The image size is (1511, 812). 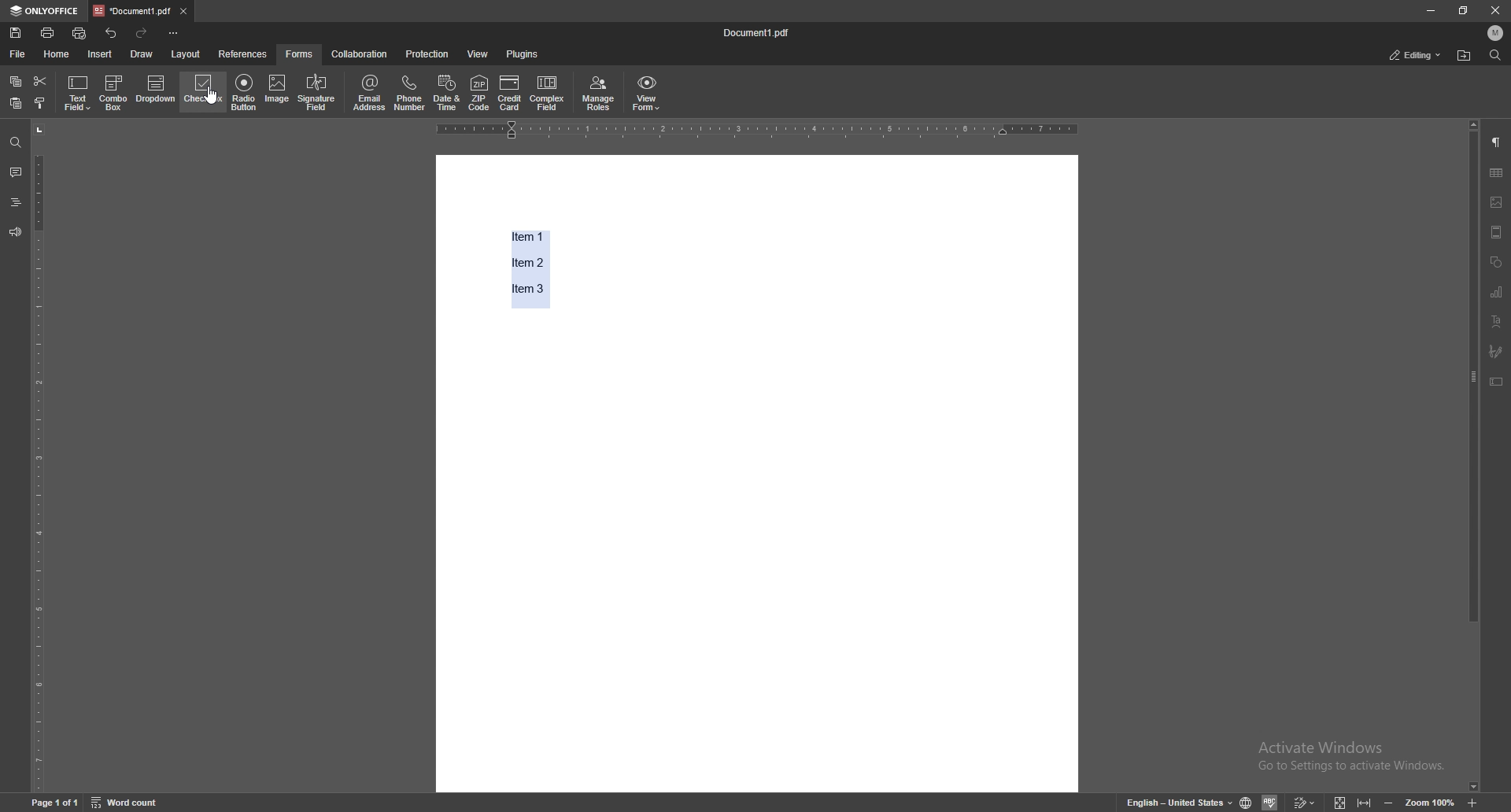 What do you see at coordinates (1390, 800) in the screenshot?
I see `zoom out` at bounding box center [1390, 800].